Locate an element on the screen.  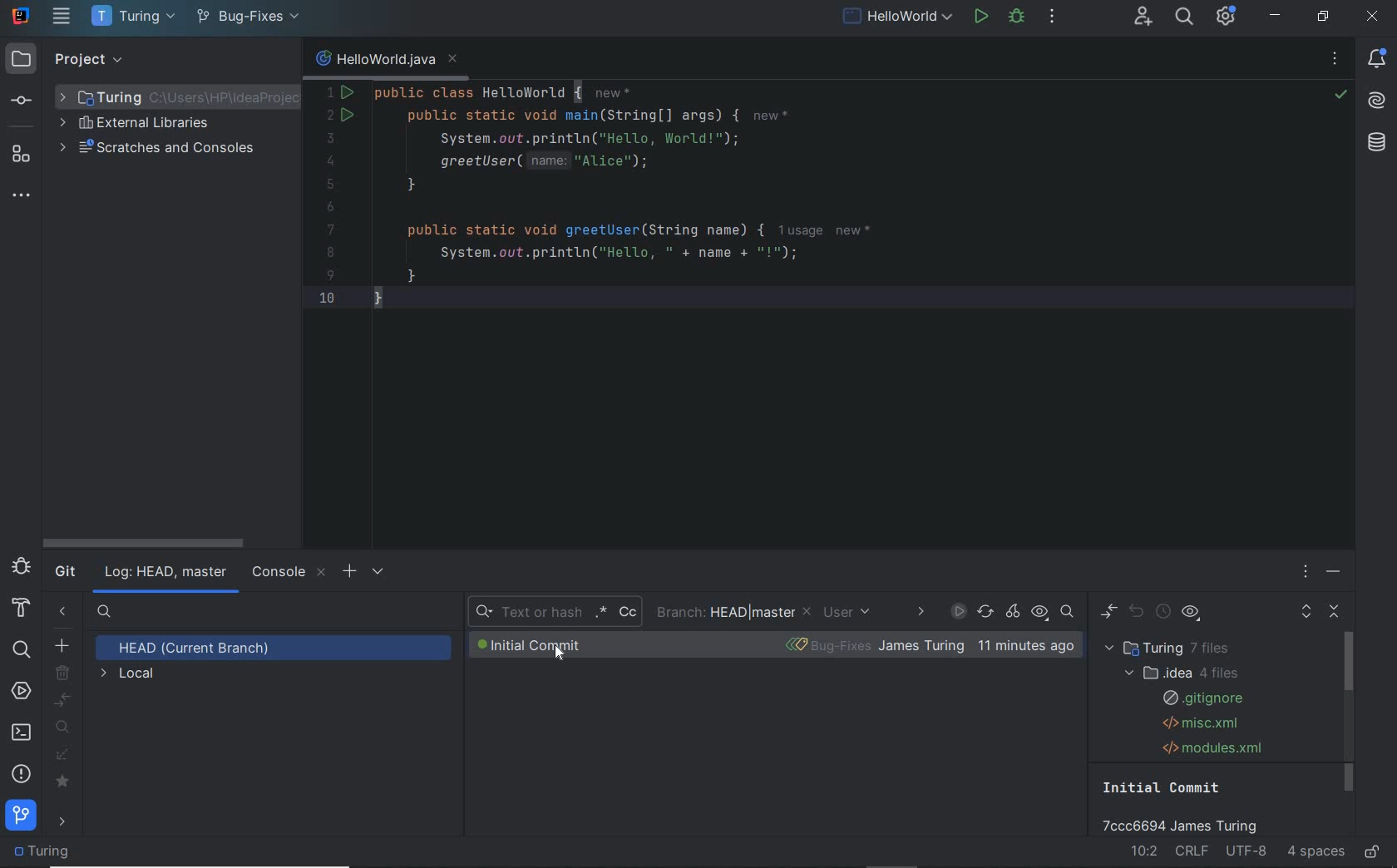
LOCAL is located at coordinates (129, 675).